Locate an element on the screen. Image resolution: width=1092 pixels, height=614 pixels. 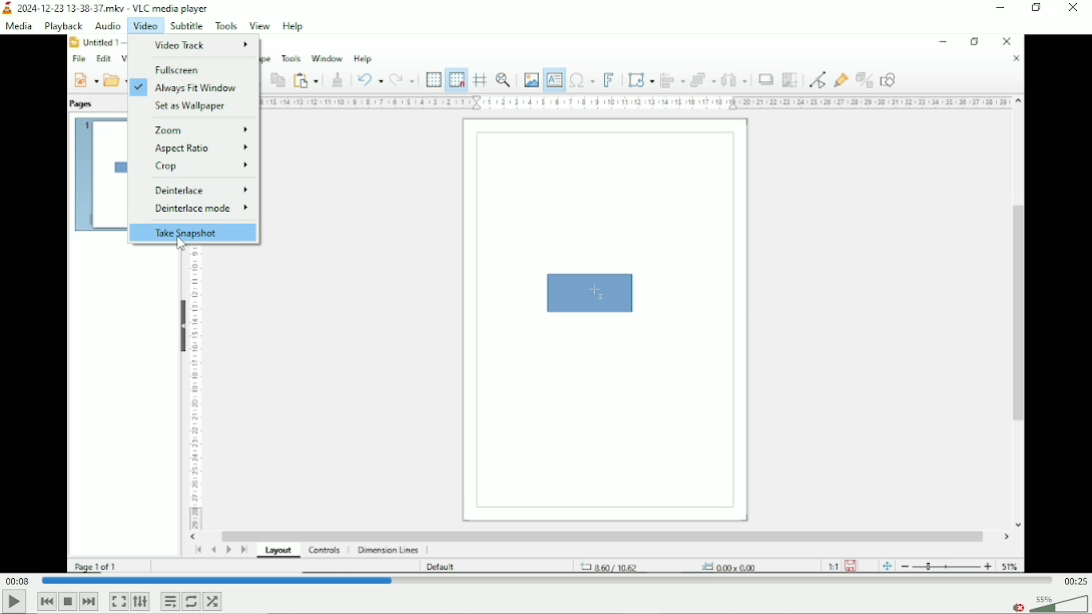
Zoom is located at coordinates (201, 129).